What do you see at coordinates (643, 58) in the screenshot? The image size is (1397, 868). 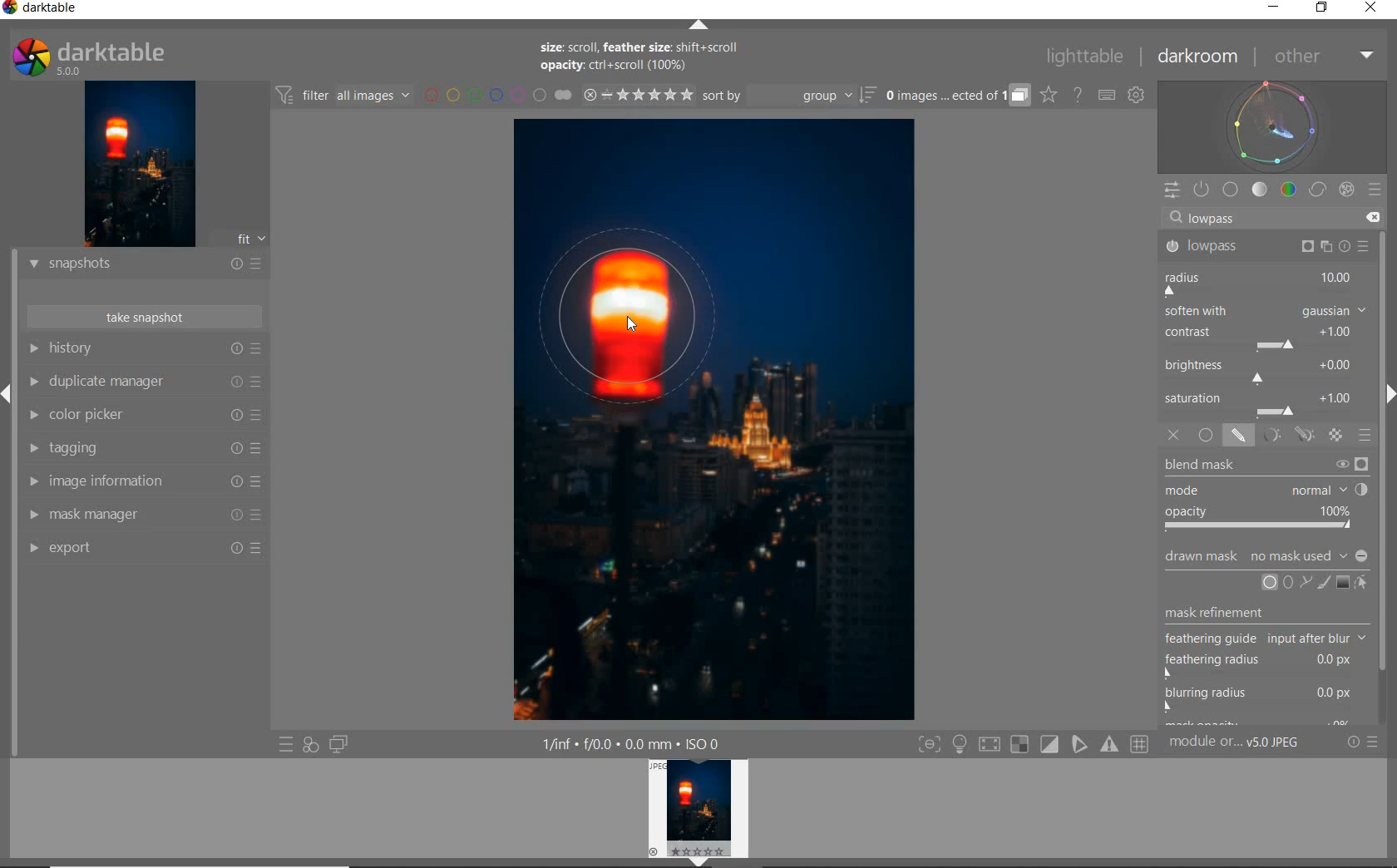 I see `Size, feather size, opacity ` at bounding box center [643, 58].